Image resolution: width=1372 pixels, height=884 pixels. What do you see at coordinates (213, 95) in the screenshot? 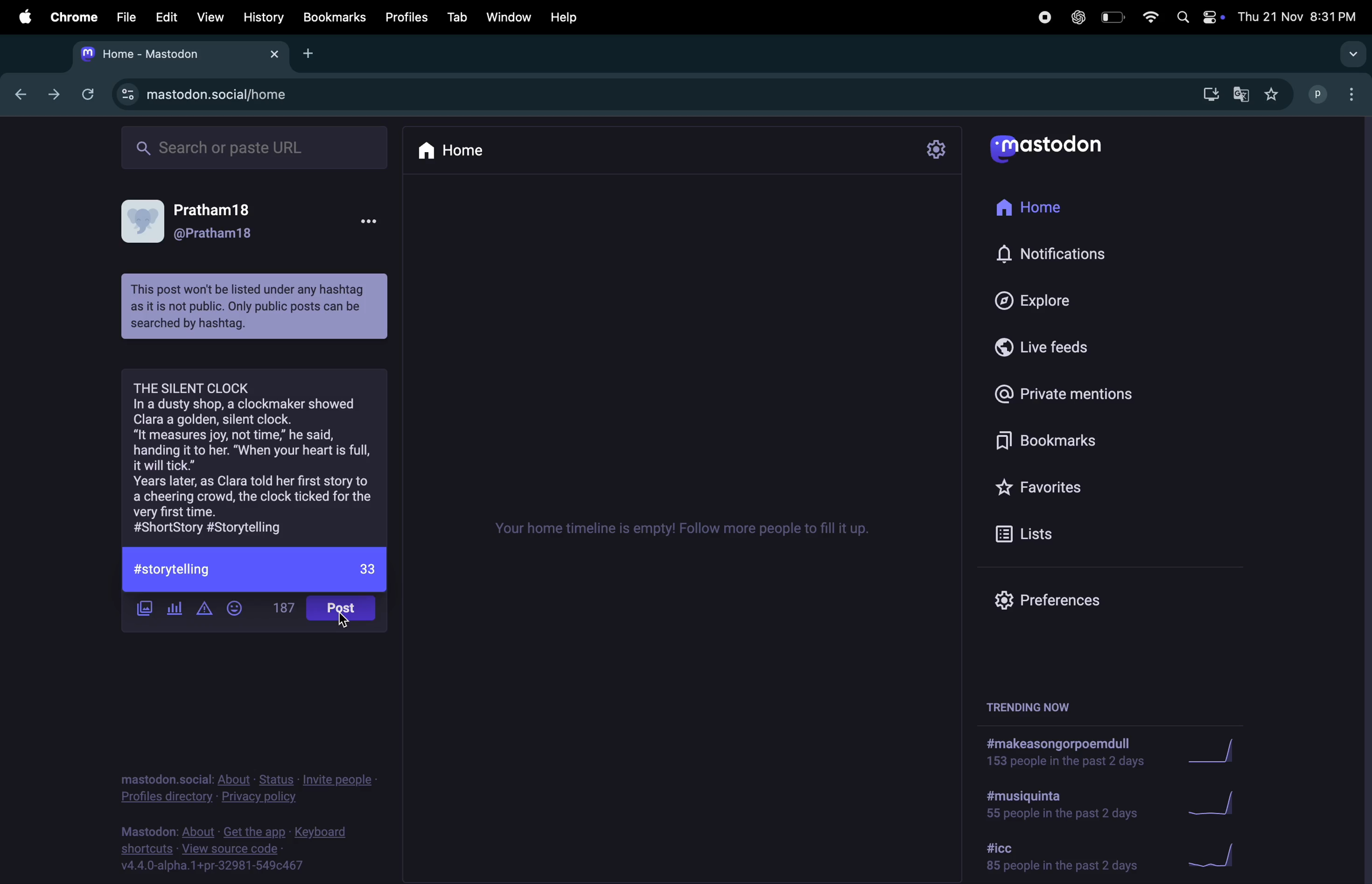
I see `mastadon profile url` at bounding box center [213, 95].